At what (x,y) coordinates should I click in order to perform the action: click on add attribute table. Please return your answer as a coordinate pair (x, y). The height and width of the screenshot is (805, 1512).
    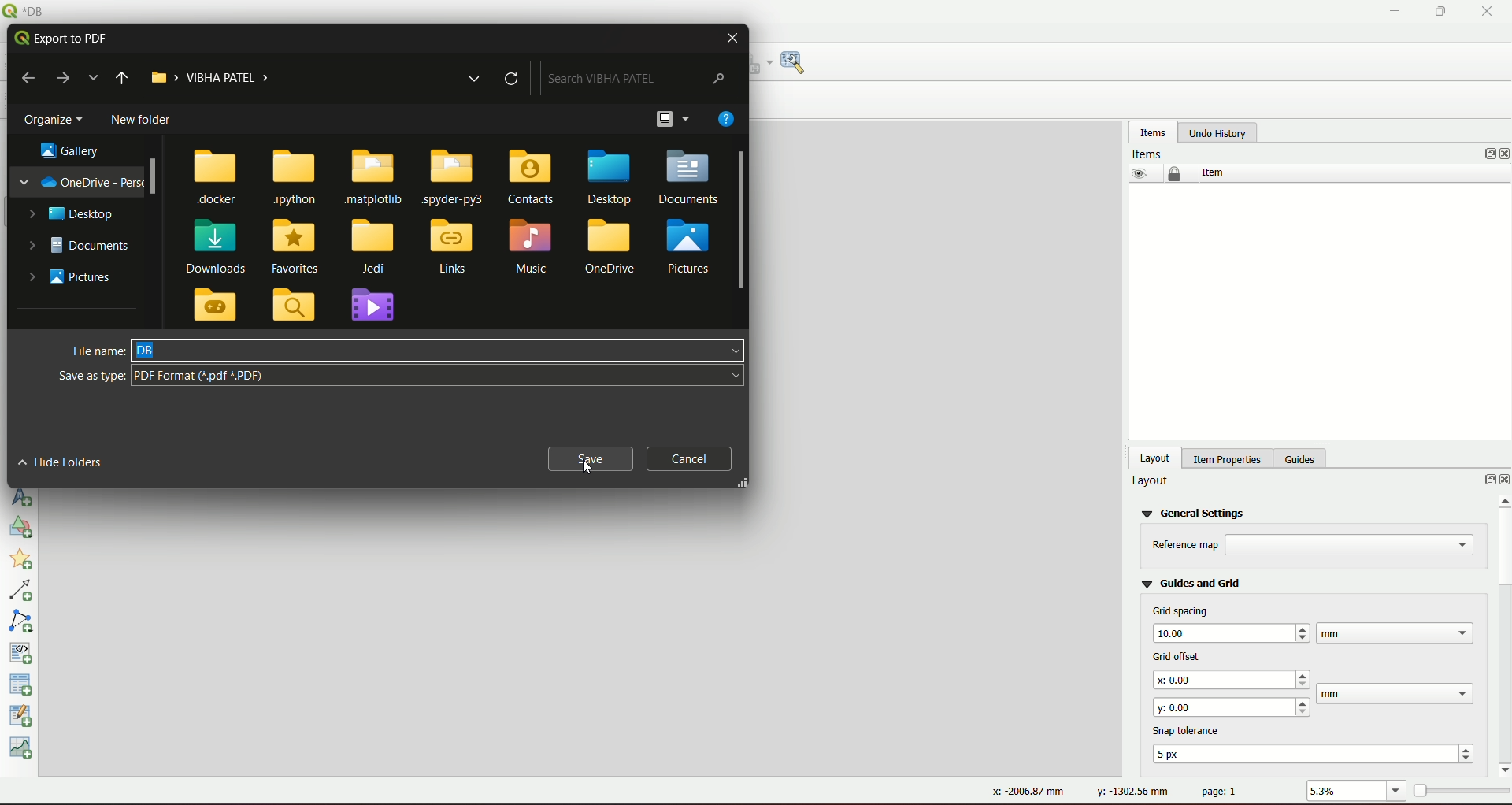
    Looking at the image, I should click on (23, 718).